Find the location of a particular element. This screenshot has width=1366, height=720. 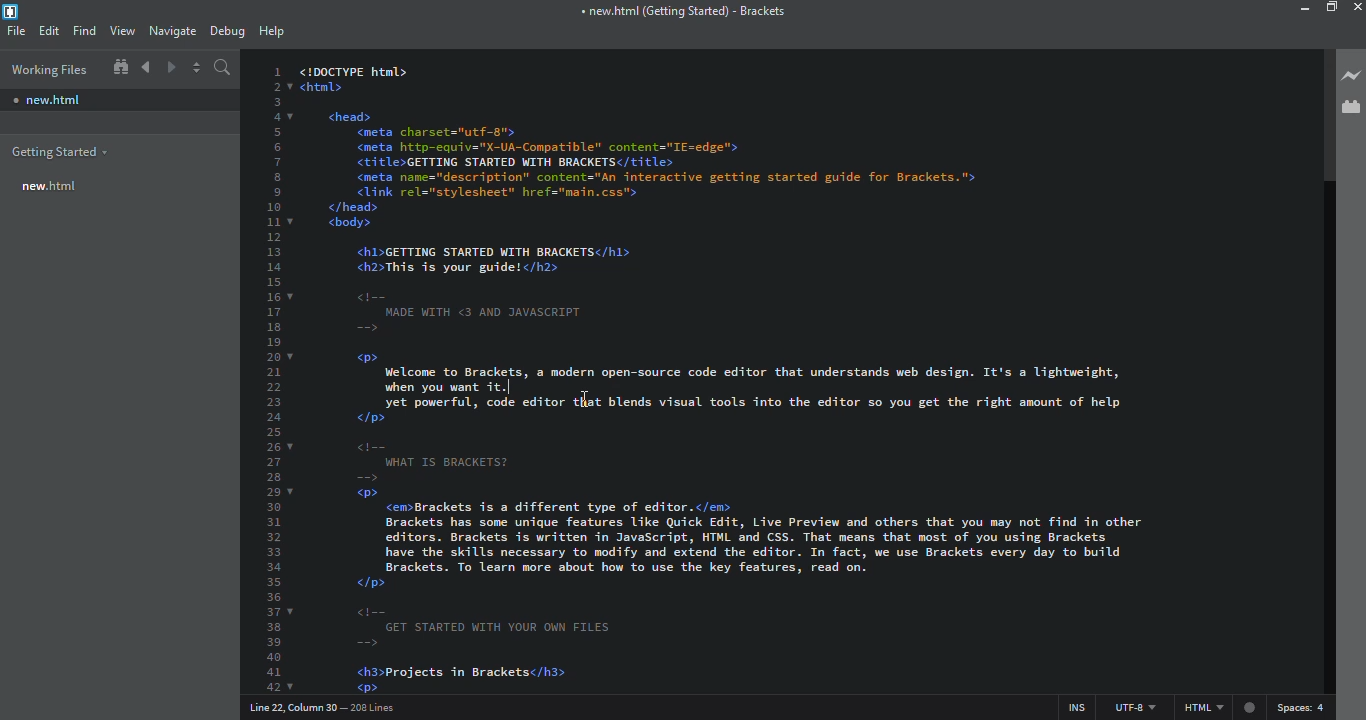

test code is located at coordinates (750, 388).